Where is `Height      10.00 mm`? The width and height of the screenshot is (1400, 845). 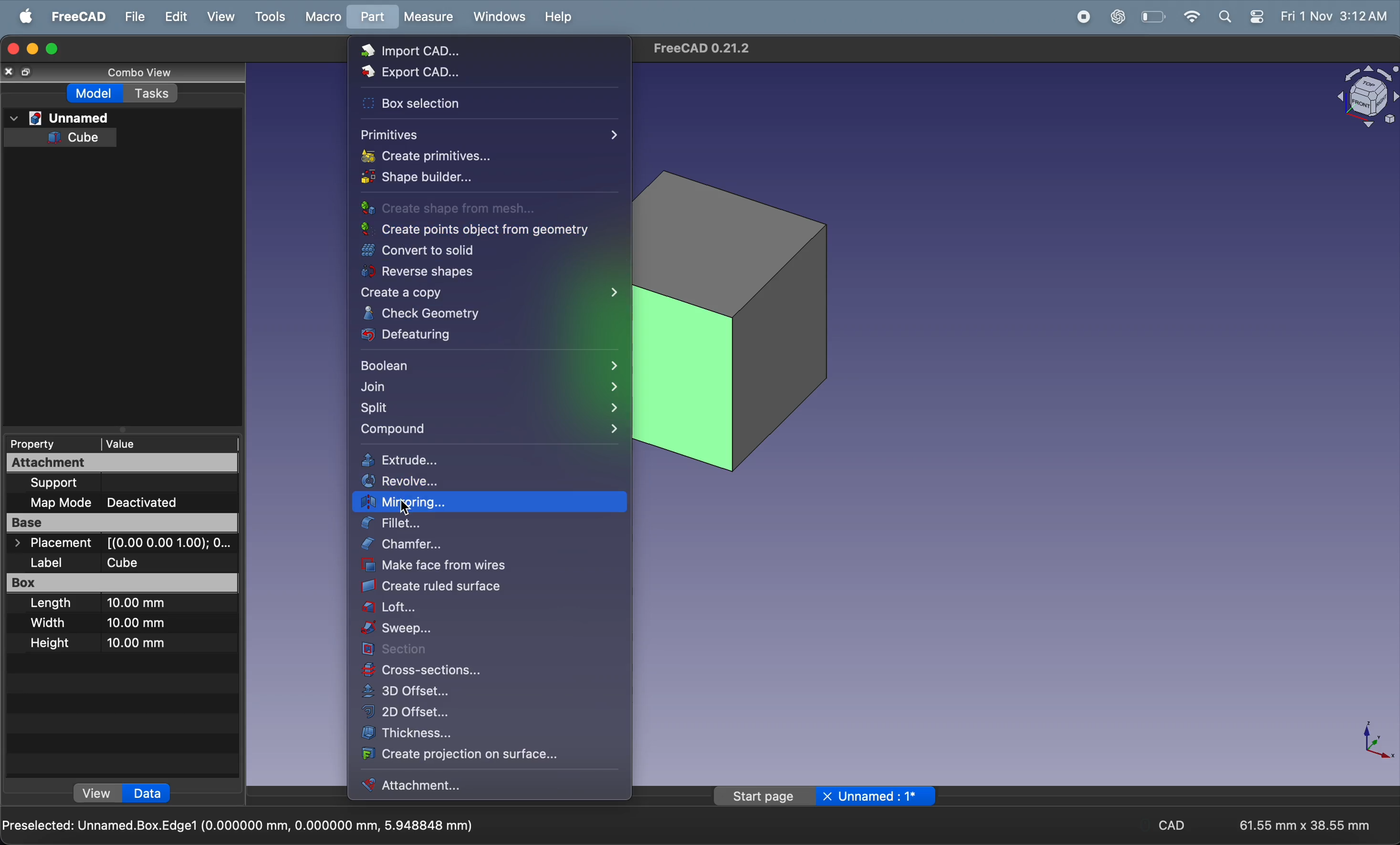 Height      10.00 mm is located at coordinates (106, 642).